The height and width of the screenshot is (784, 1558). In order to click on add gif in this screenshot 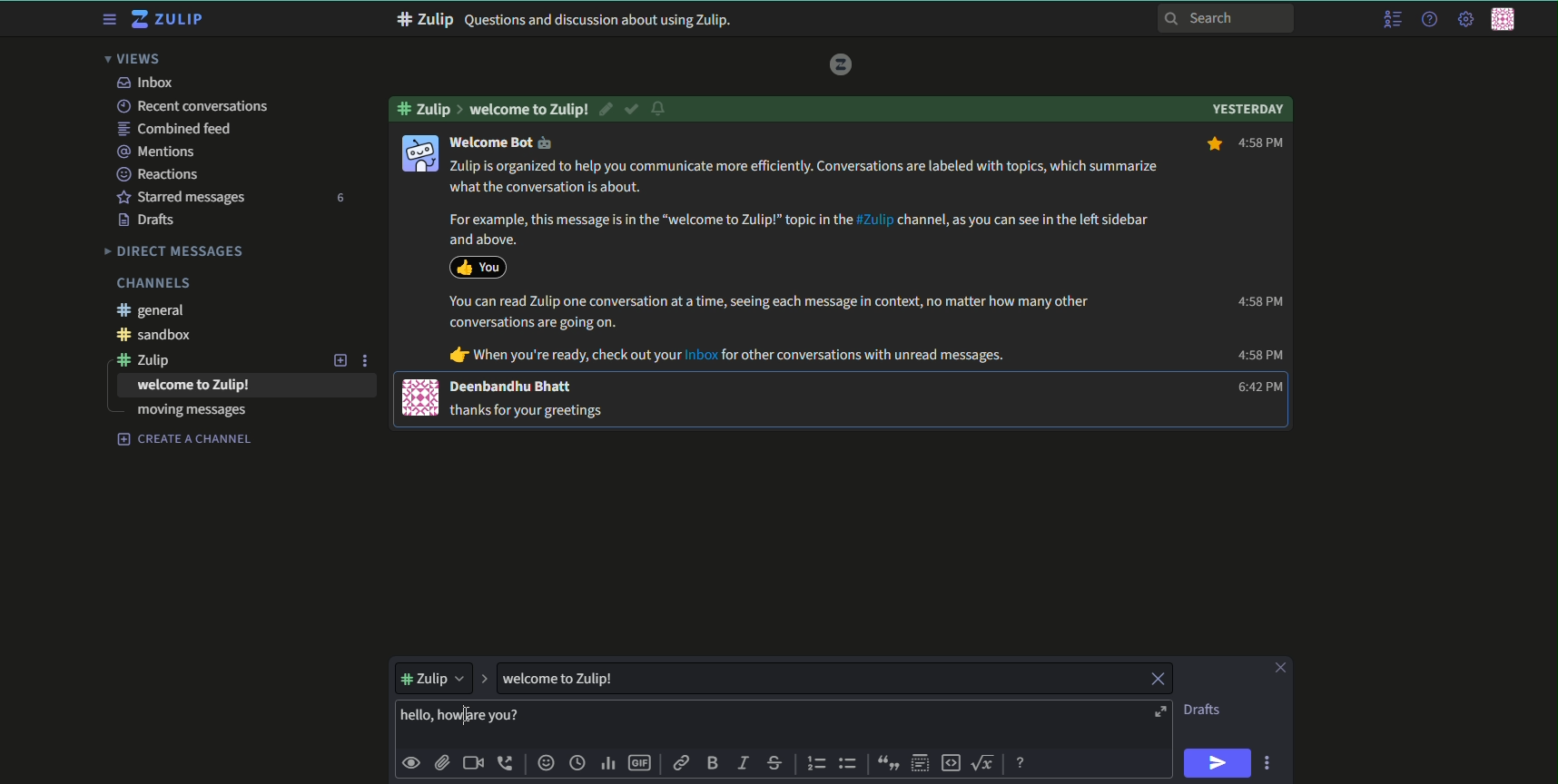, I will do `click(642, 765)`.